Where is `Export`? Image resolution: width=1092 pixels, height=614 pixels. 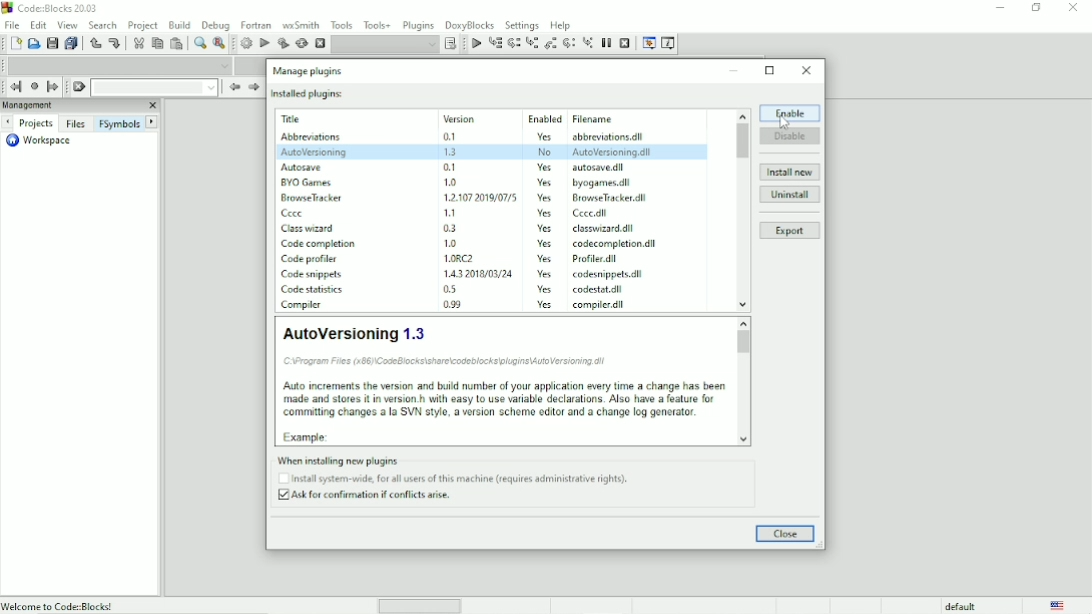 Export is located at coordinates (790, 231).